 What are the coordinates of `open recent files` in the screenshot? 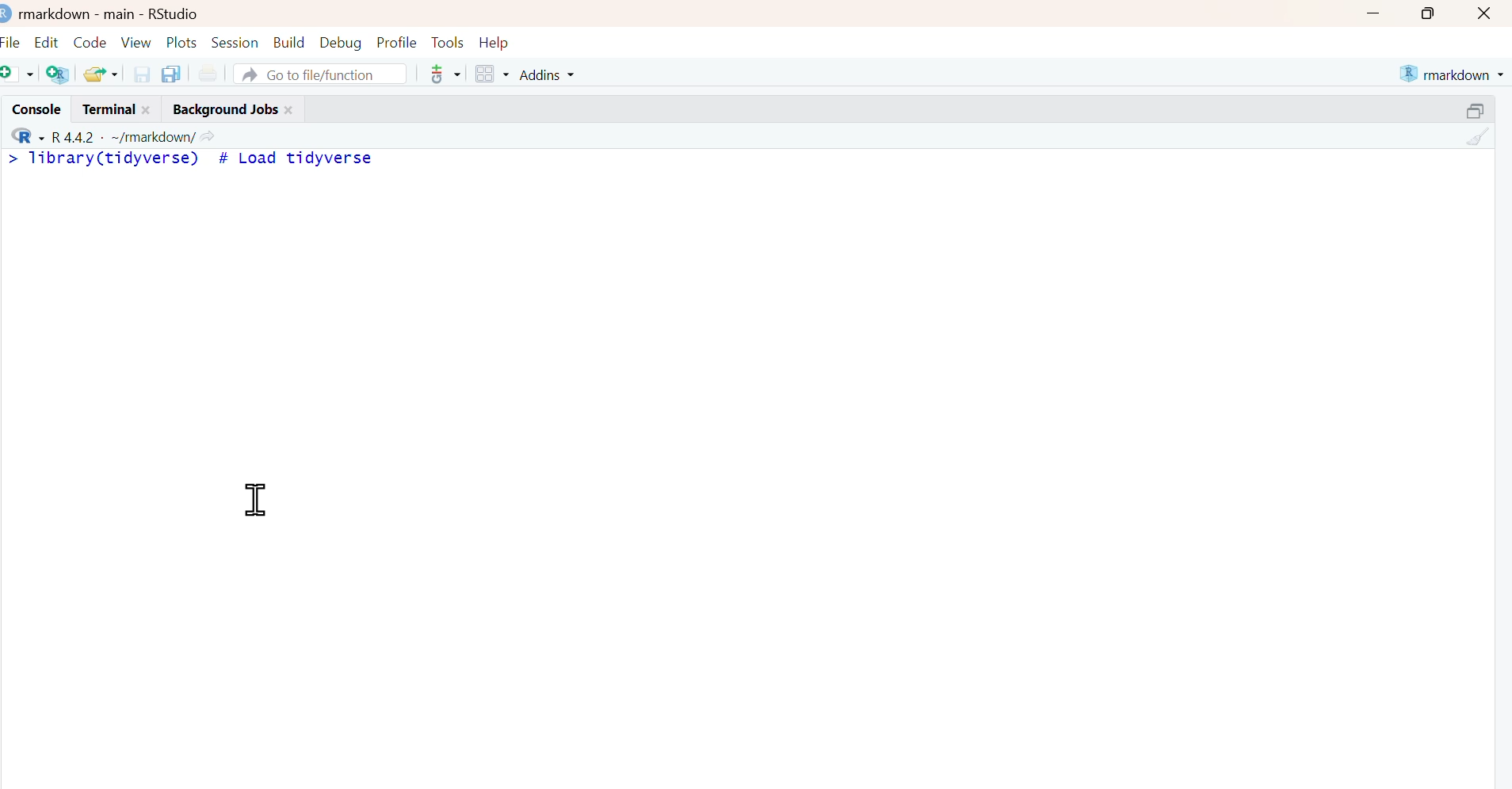 It's located at (101, 72).